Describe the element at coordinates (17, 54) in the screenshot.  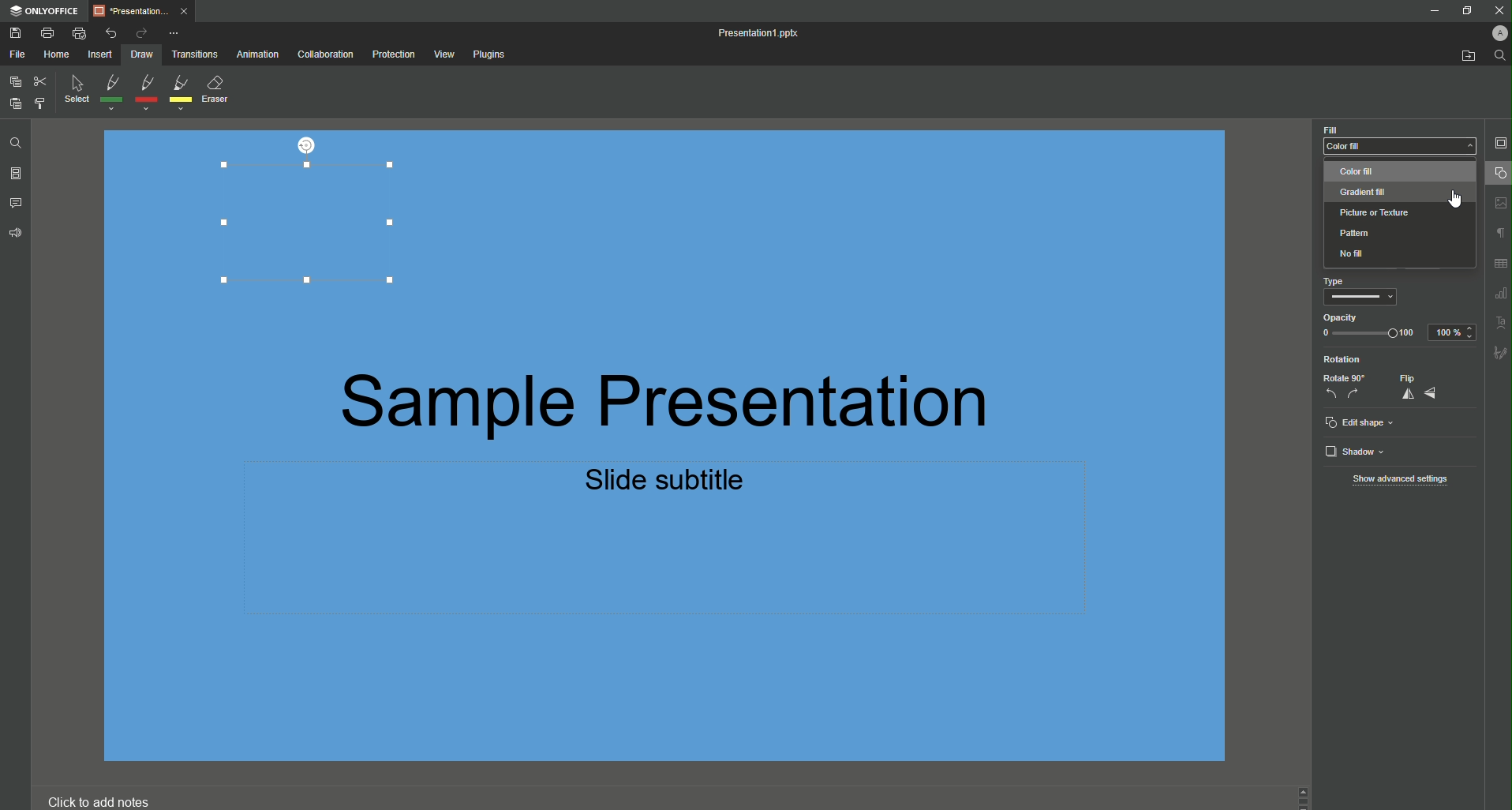
I see `File` at that location.